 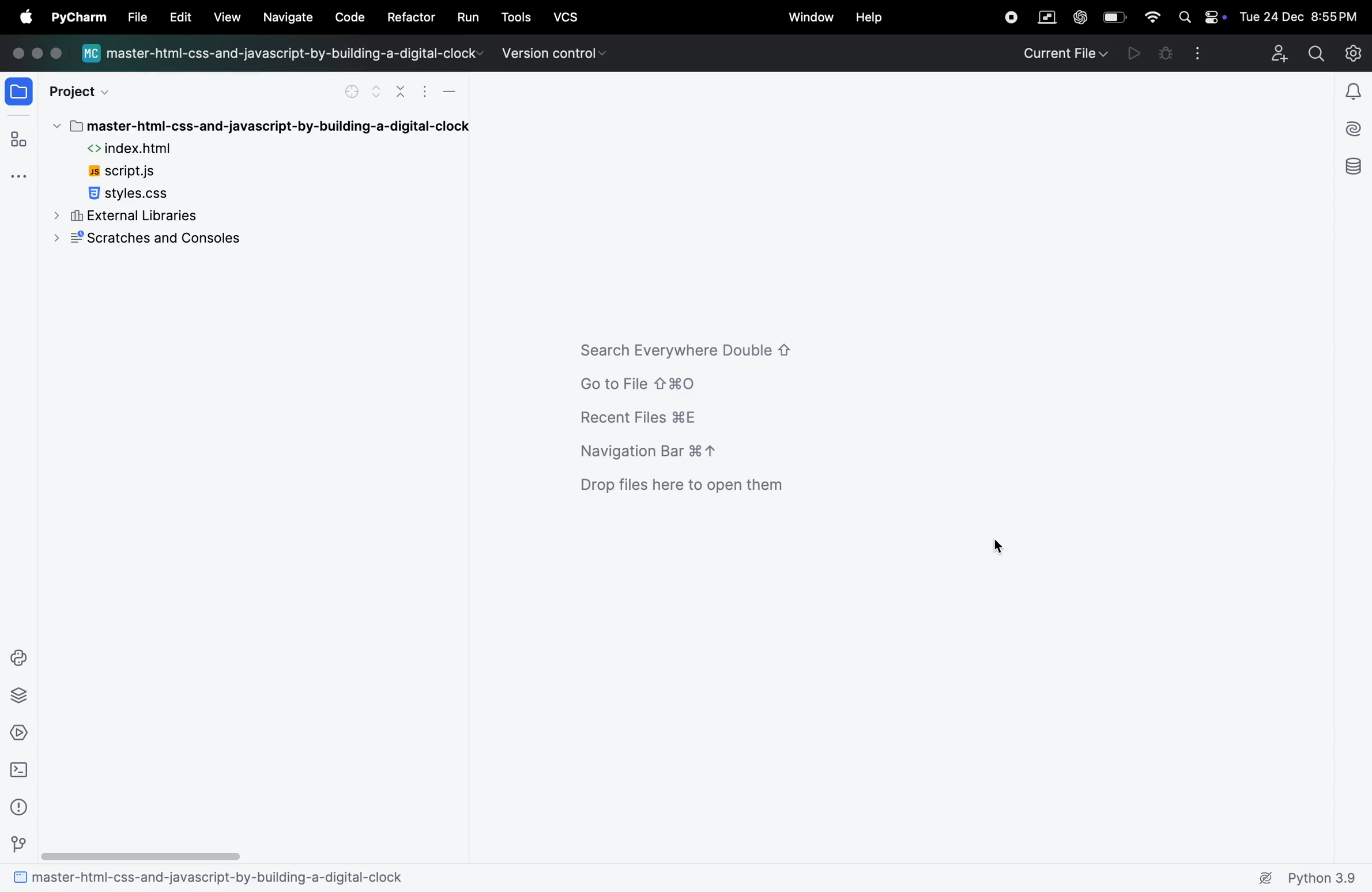 What do you see at coordinates (1301, 16) in the screenshot?
I see `Tue 24 Dec 8:55PM` at bounding box center [1301, 16].